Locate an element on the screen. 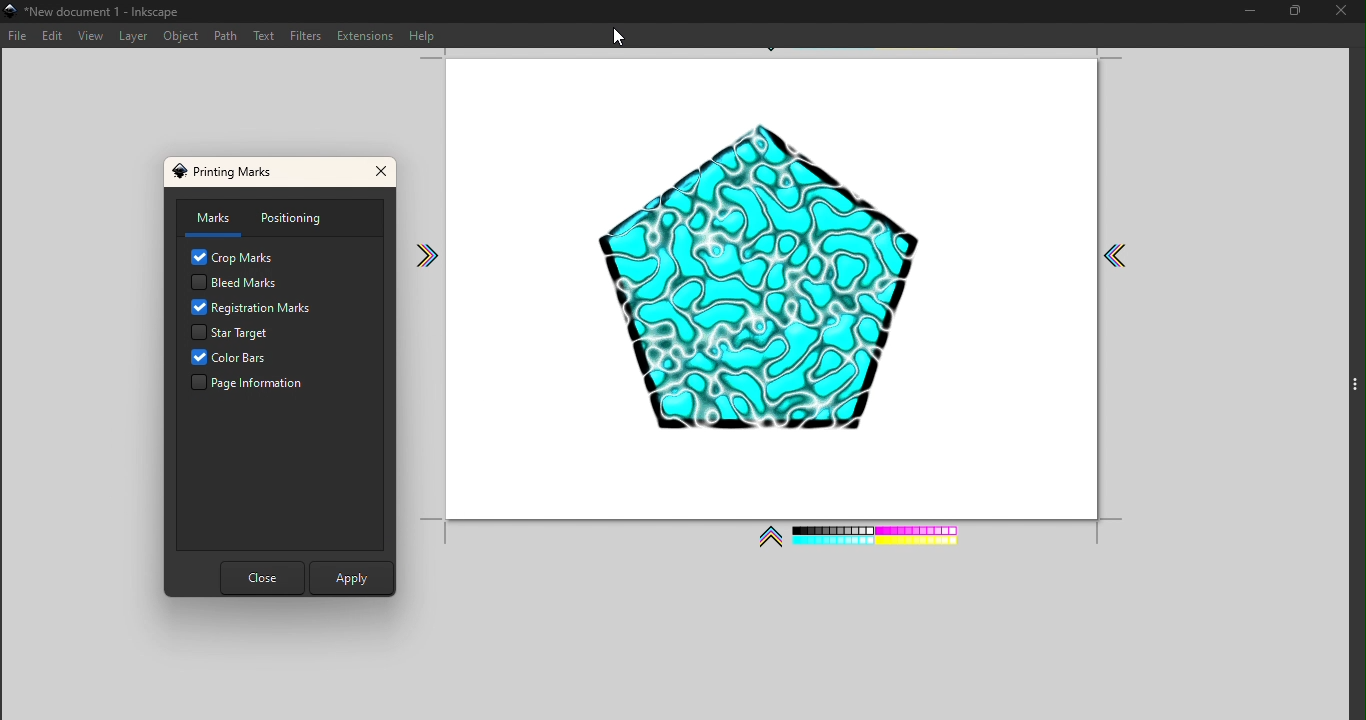  Text is located at coordinates (267, 38).